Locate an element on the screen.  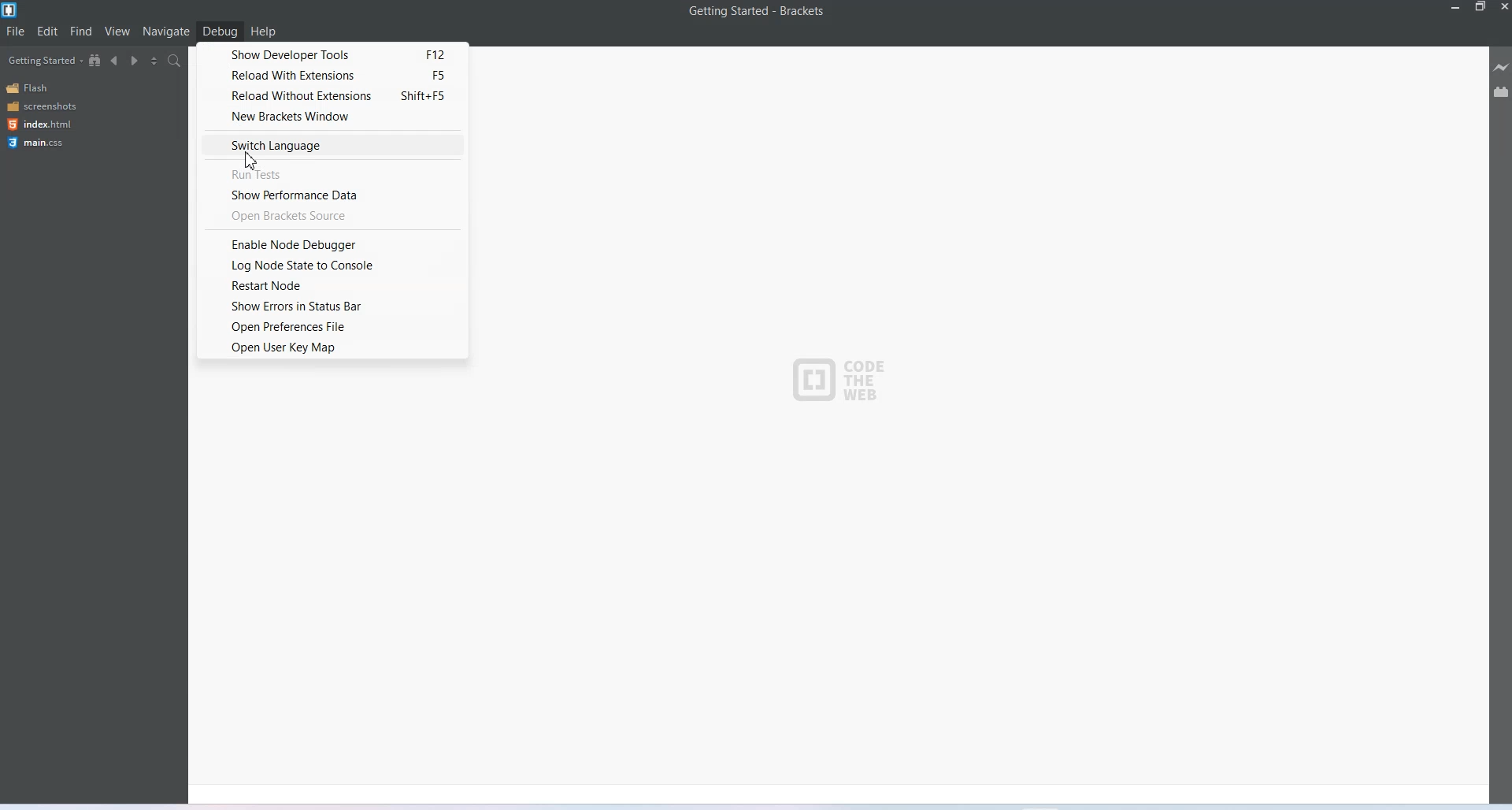
Screenshots is located at coordinates (41, 106).